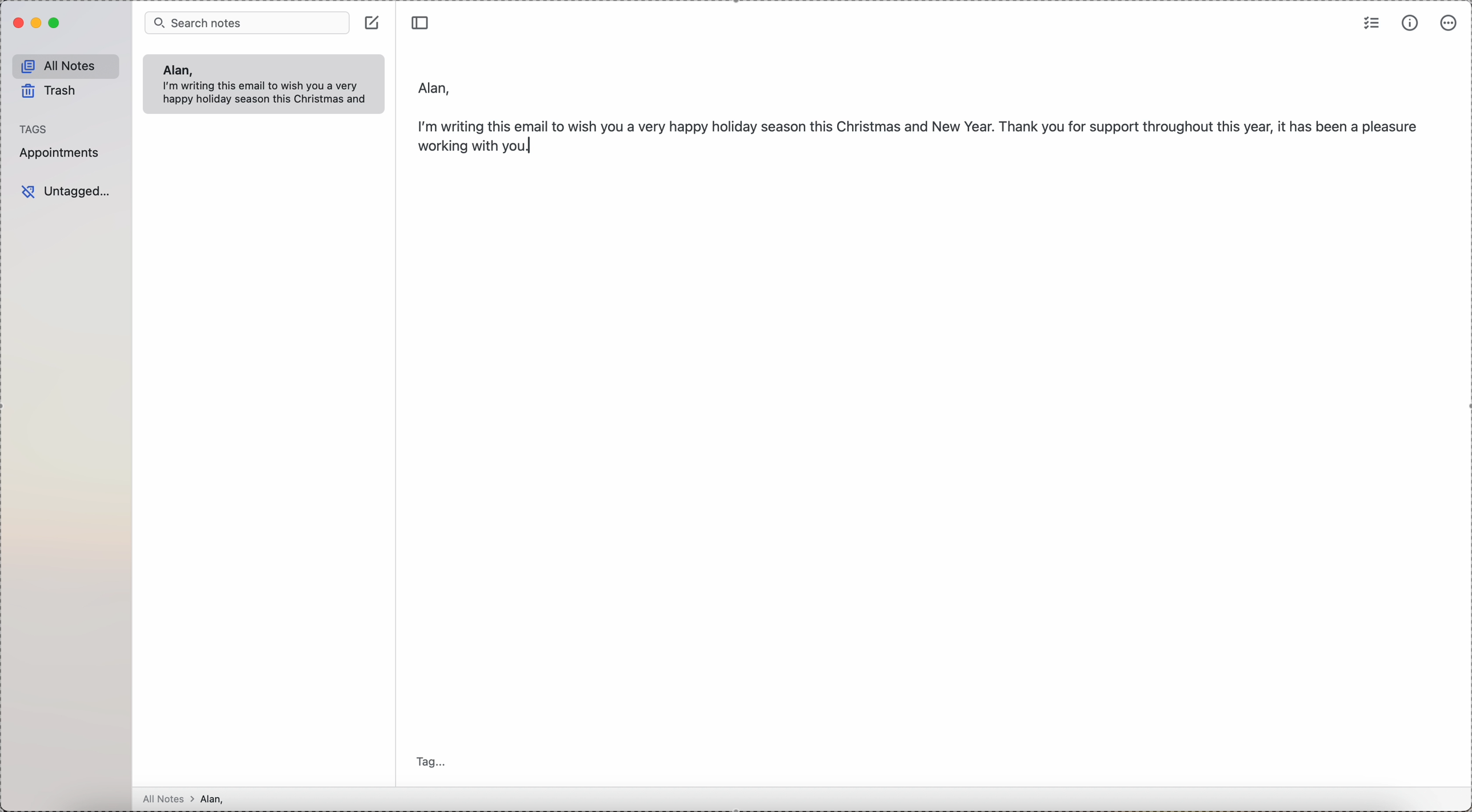 This screenshot has height=812, width=1472. I want to click on check list, so click(1372, 22).